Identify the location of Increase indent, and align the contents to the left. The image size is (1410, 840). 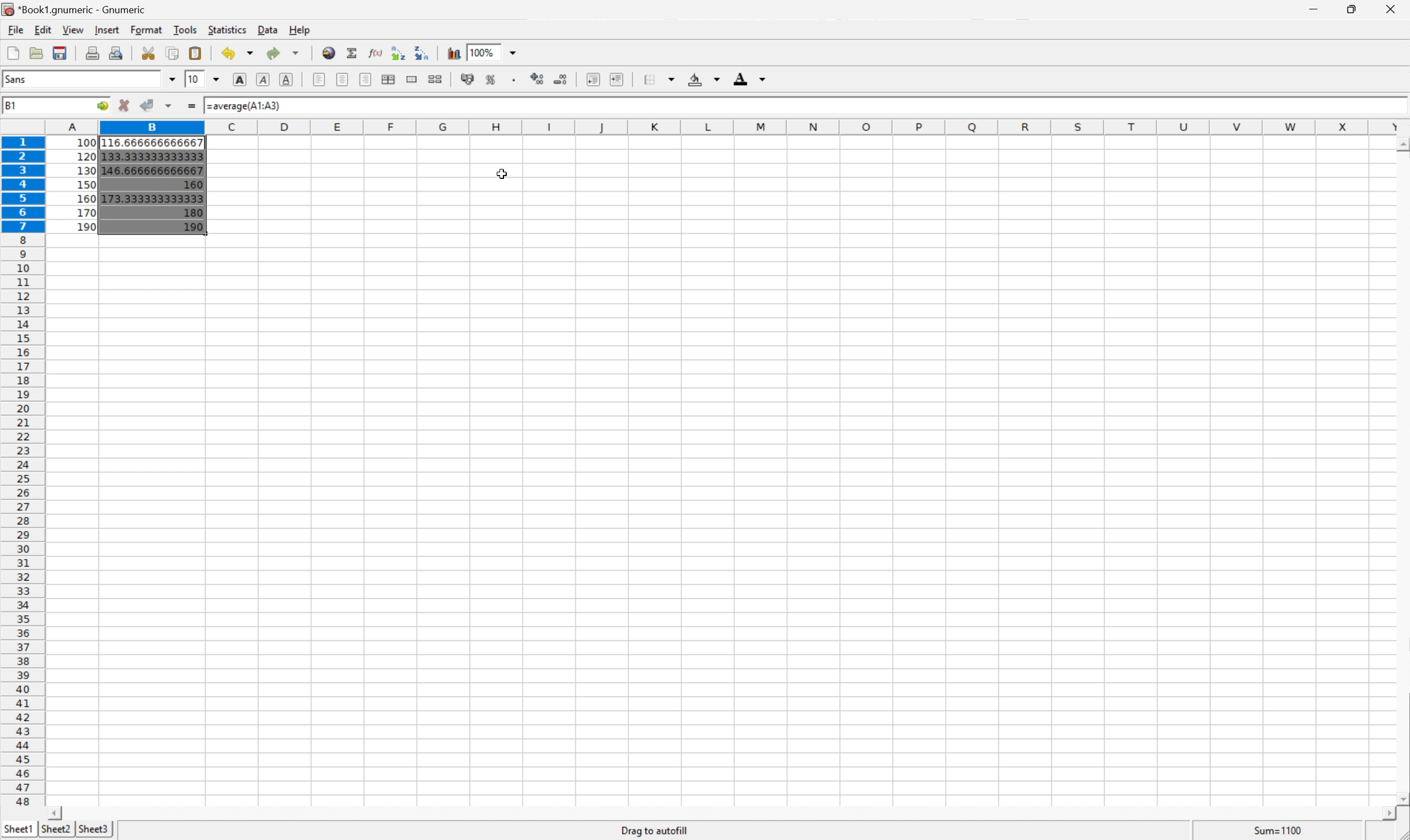
(619, 80).